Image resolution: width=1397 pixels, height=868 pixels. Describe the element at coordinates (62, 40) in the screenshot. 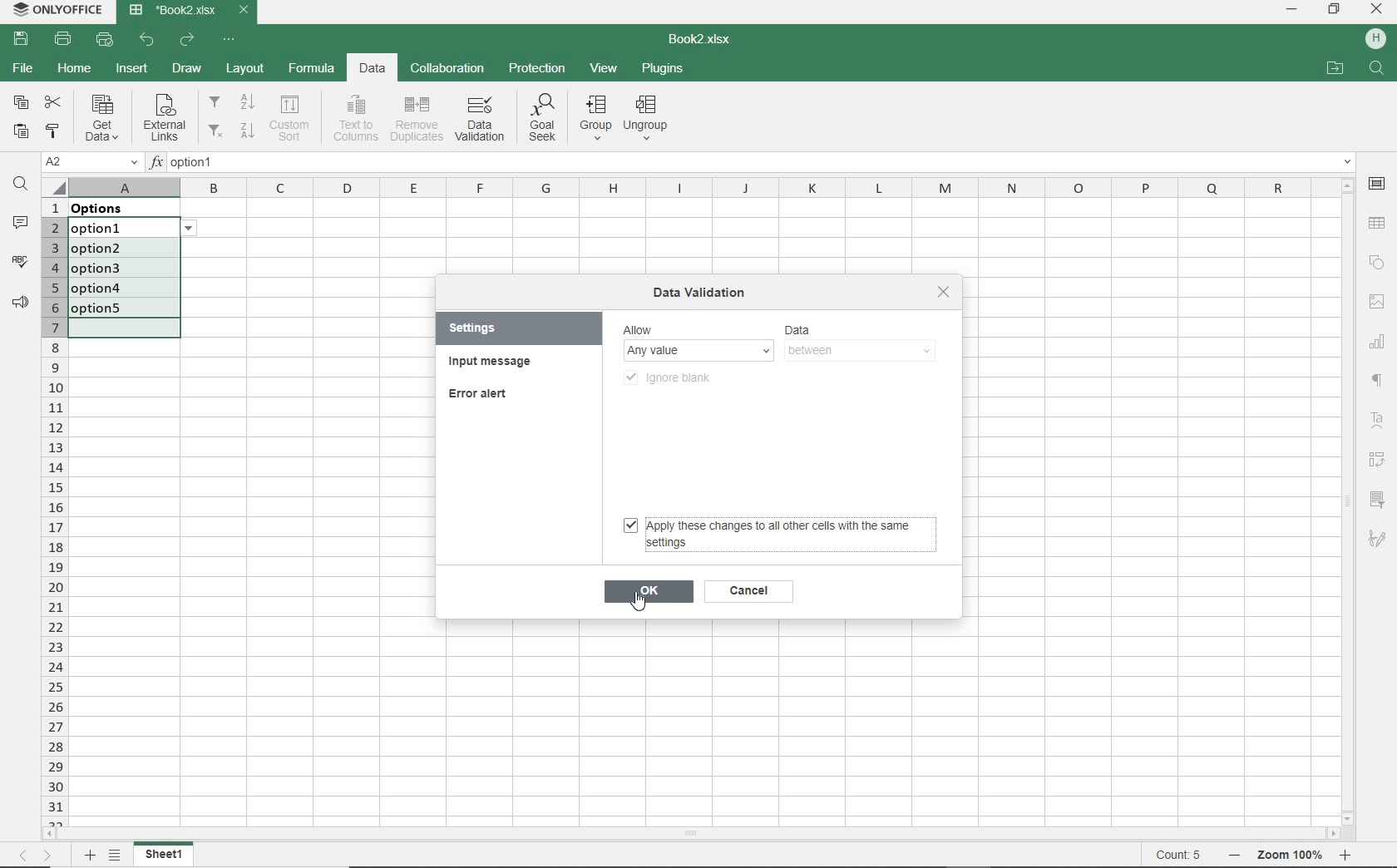

I see `PRINT` at that location.